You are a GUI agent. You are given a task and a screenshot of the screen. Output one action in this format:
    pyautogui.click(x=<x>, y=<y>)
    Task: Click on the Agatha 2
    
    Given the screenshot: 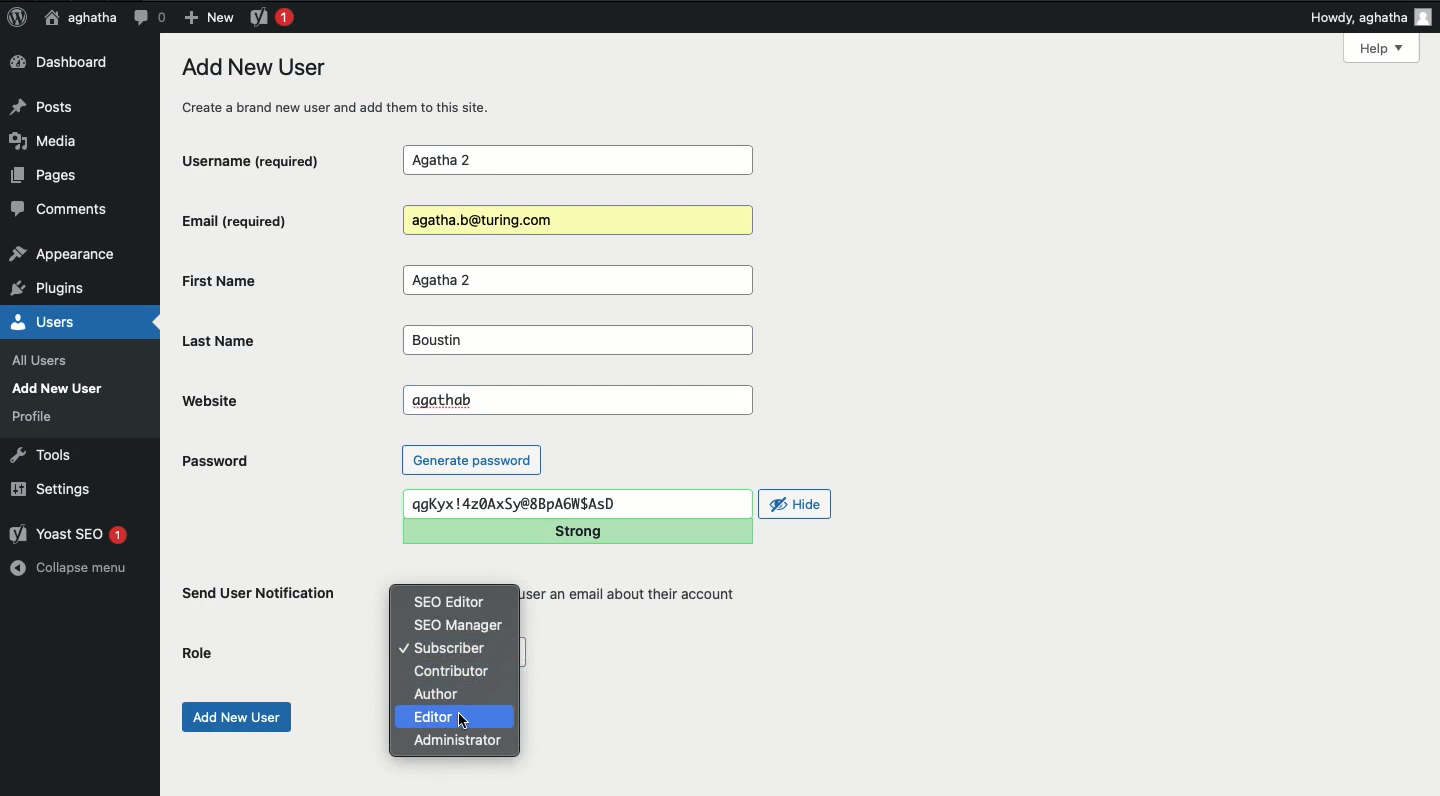 What is the action you would take?
    pyautogui.click(x=577, y=281)
    